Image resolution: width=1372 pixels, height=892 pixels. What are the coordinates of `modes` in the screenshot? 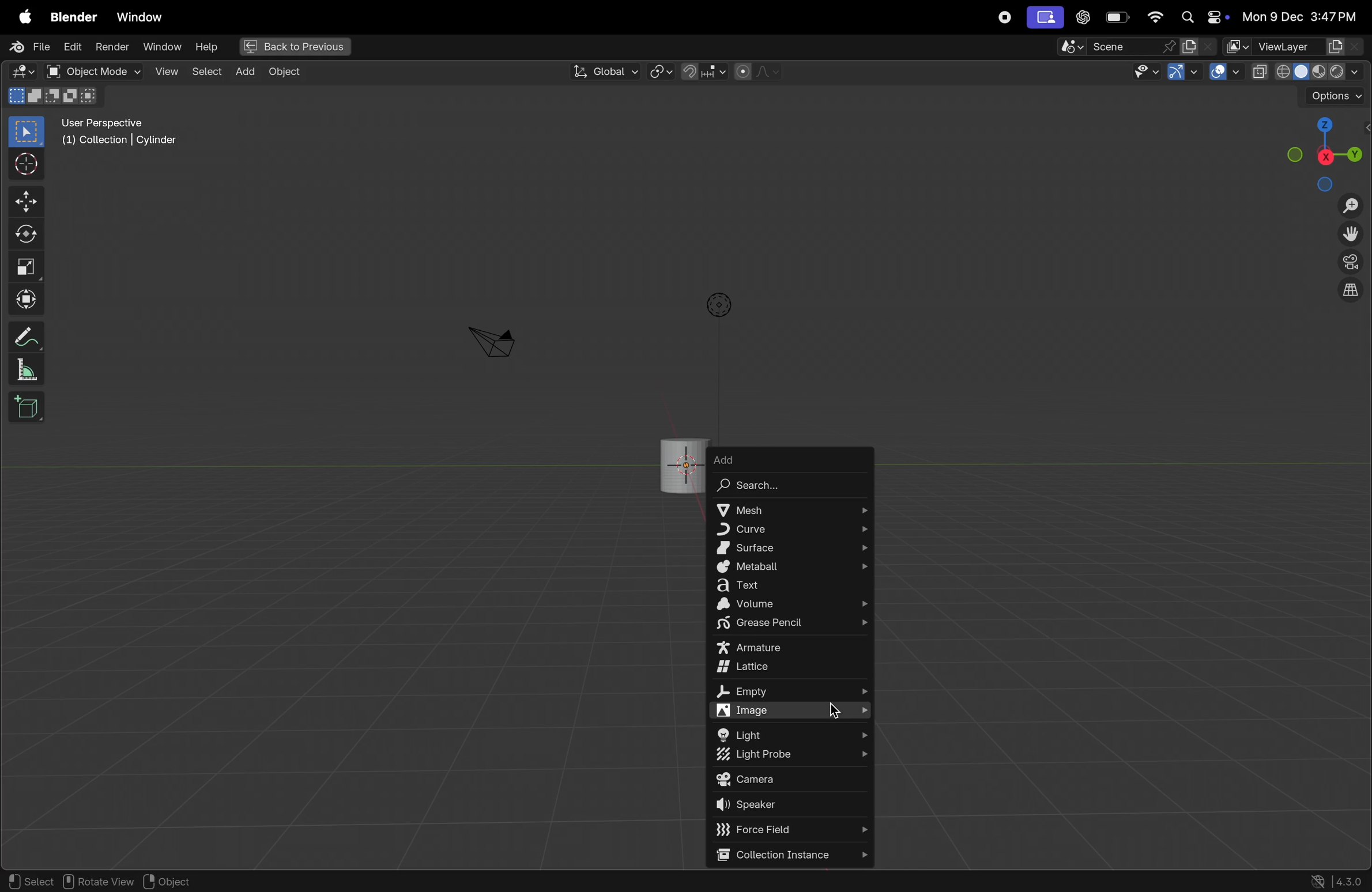 It's located at (56, 97).